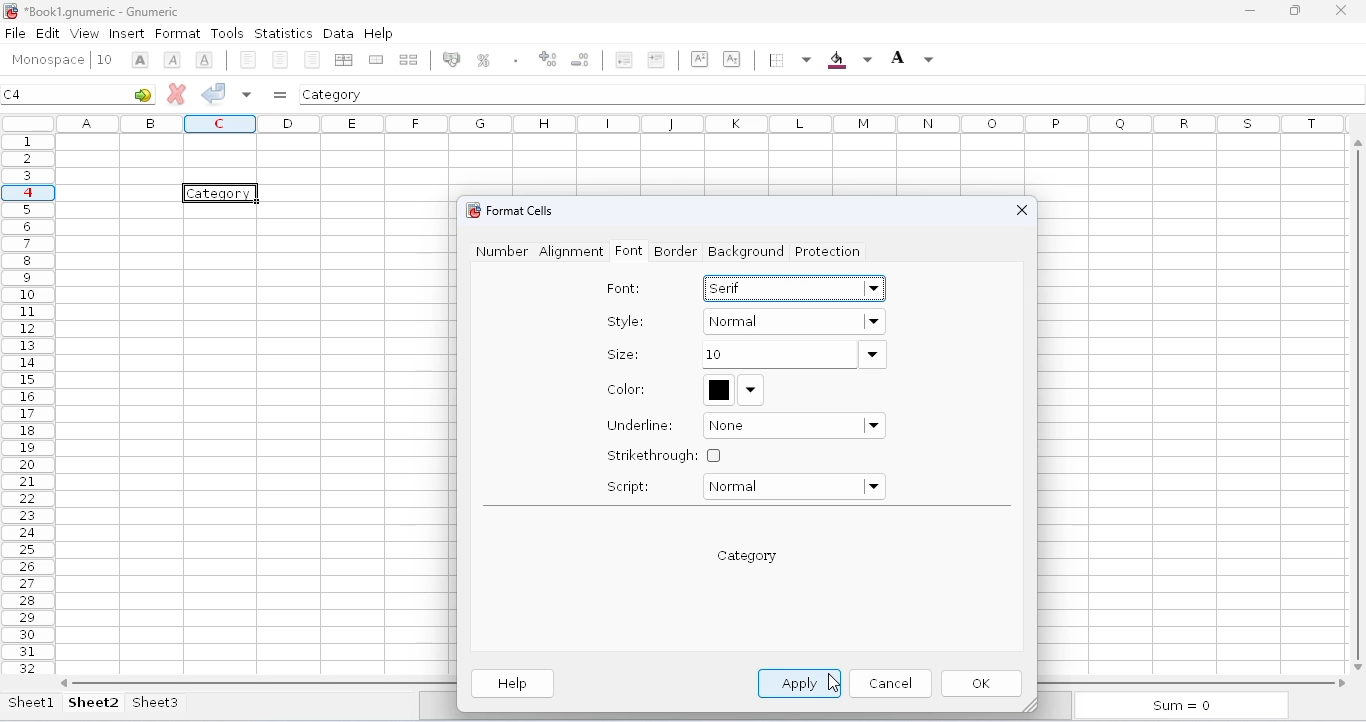  I want to click on subscript, so click(731, 58).